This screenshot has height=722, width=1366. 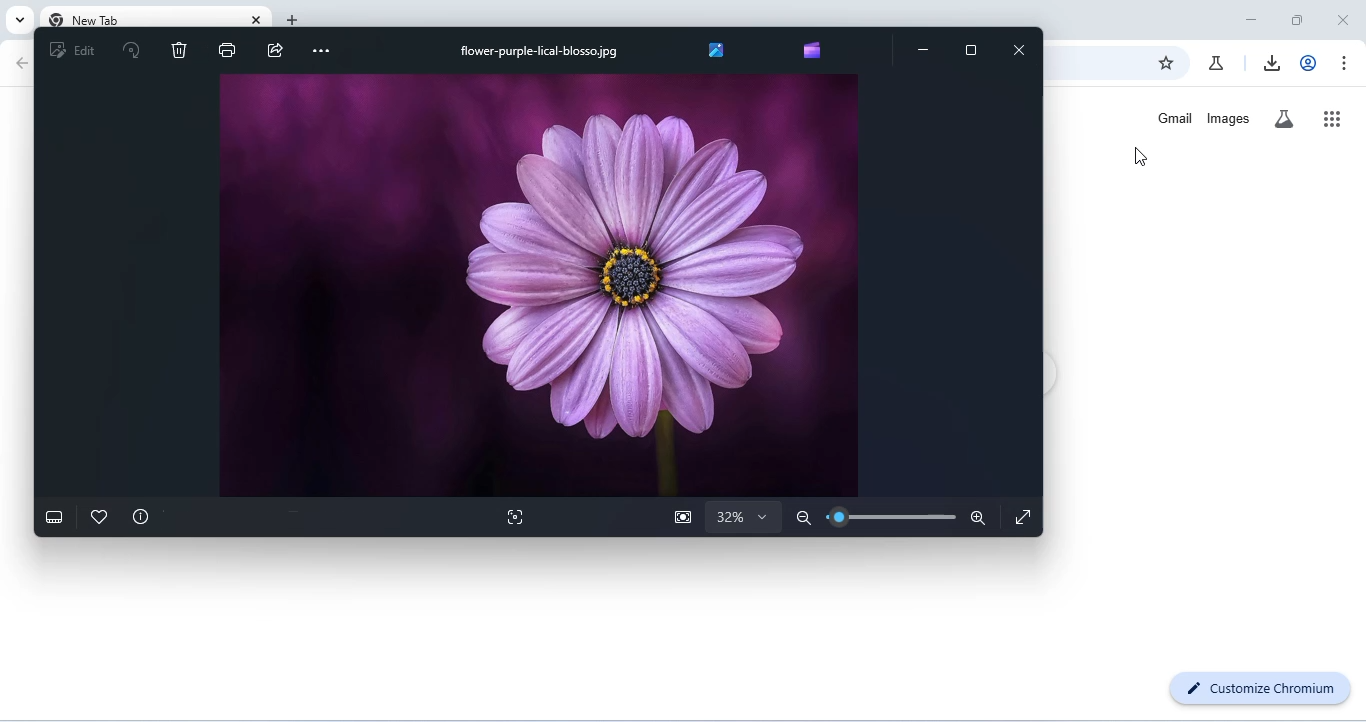 What do you see at coordinates (1333, 117) in the screenshot?
I see `google apps` at bounding box center [1333, 117].